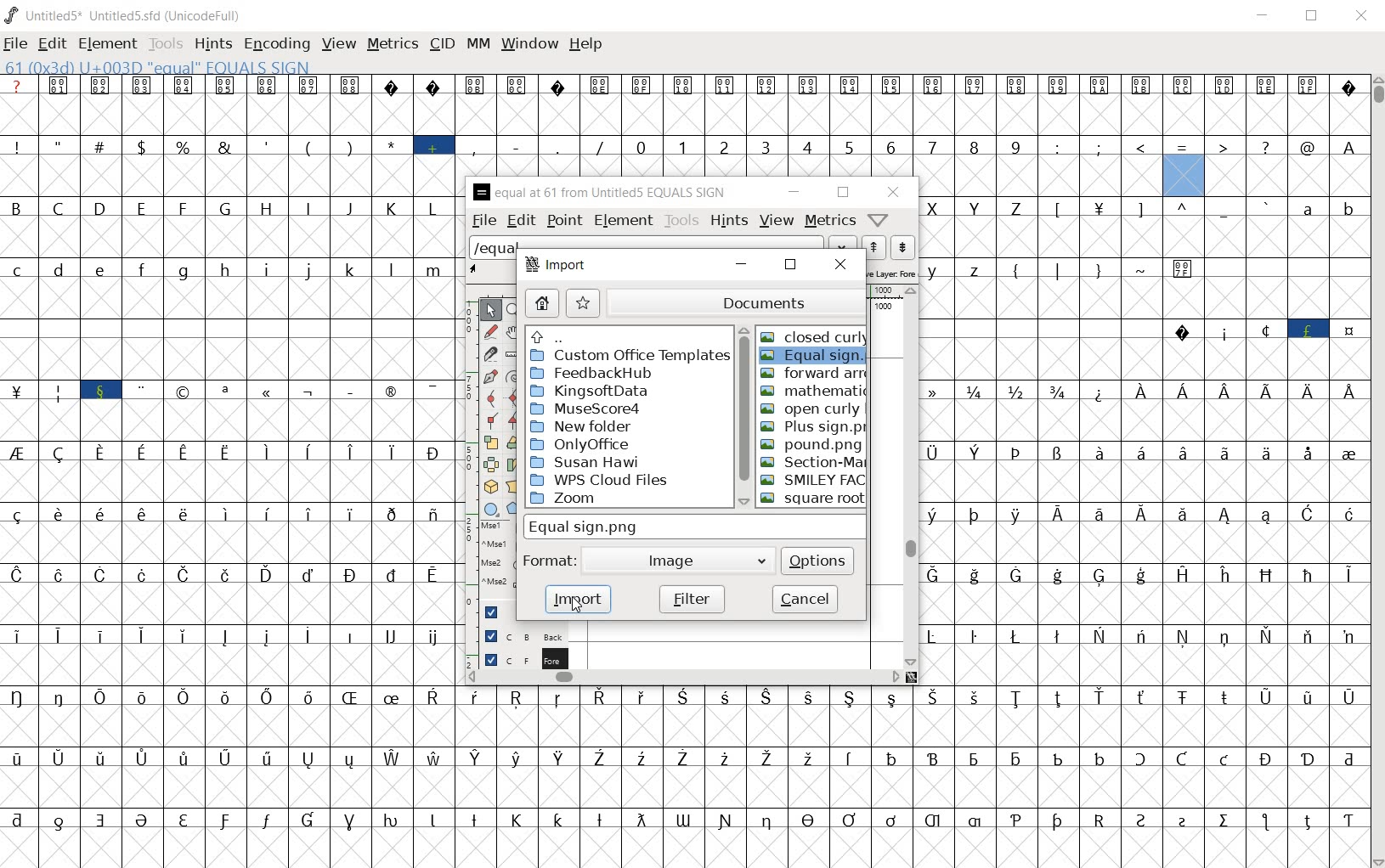  I want to click on rotate the selection in 3D and project back to plane, so click(490, 486).